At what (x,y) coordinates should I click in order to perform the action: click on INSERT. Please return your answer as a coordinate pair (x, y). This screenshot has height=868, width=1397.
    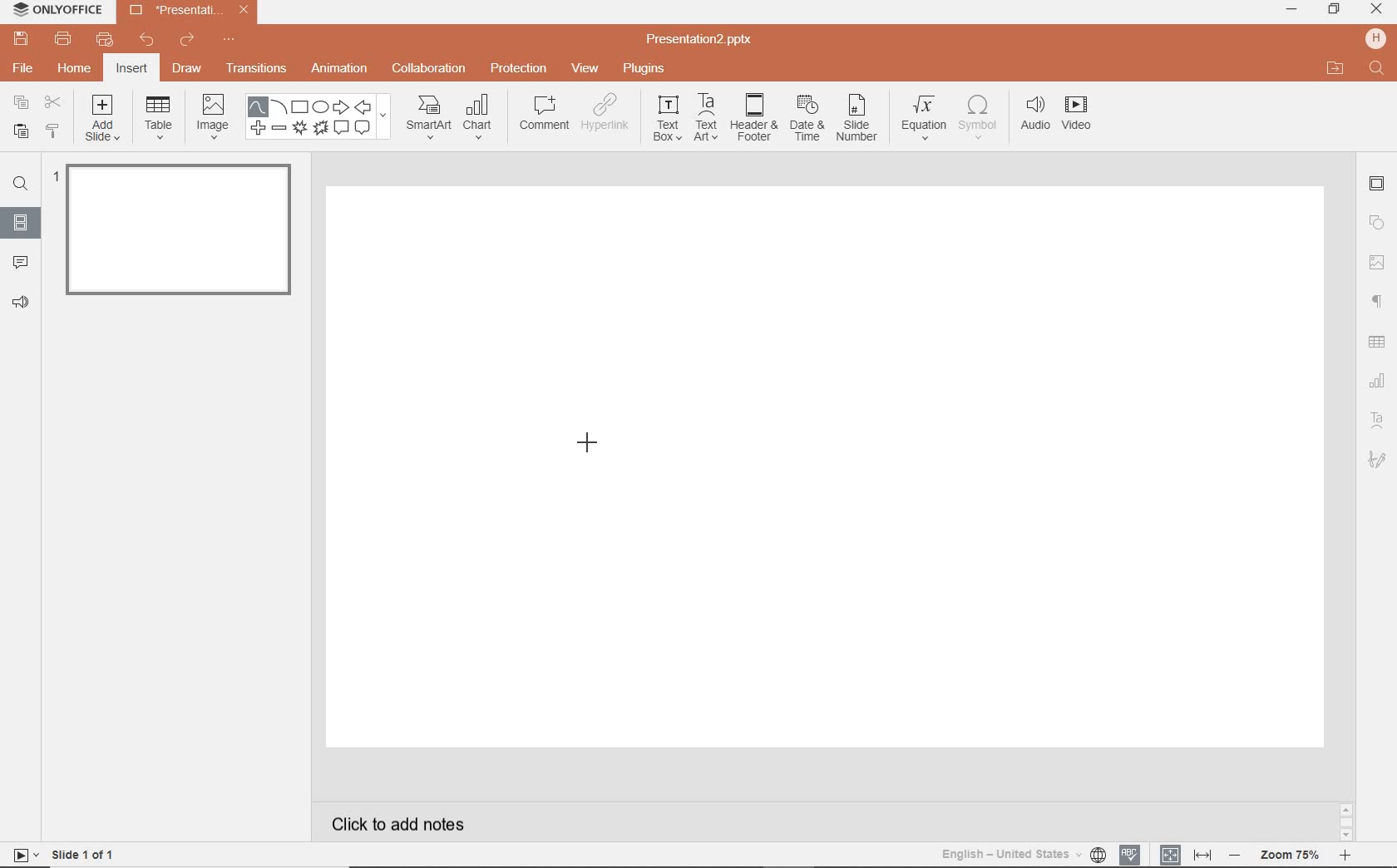
    Looking at the image, I should click on (132, 69).